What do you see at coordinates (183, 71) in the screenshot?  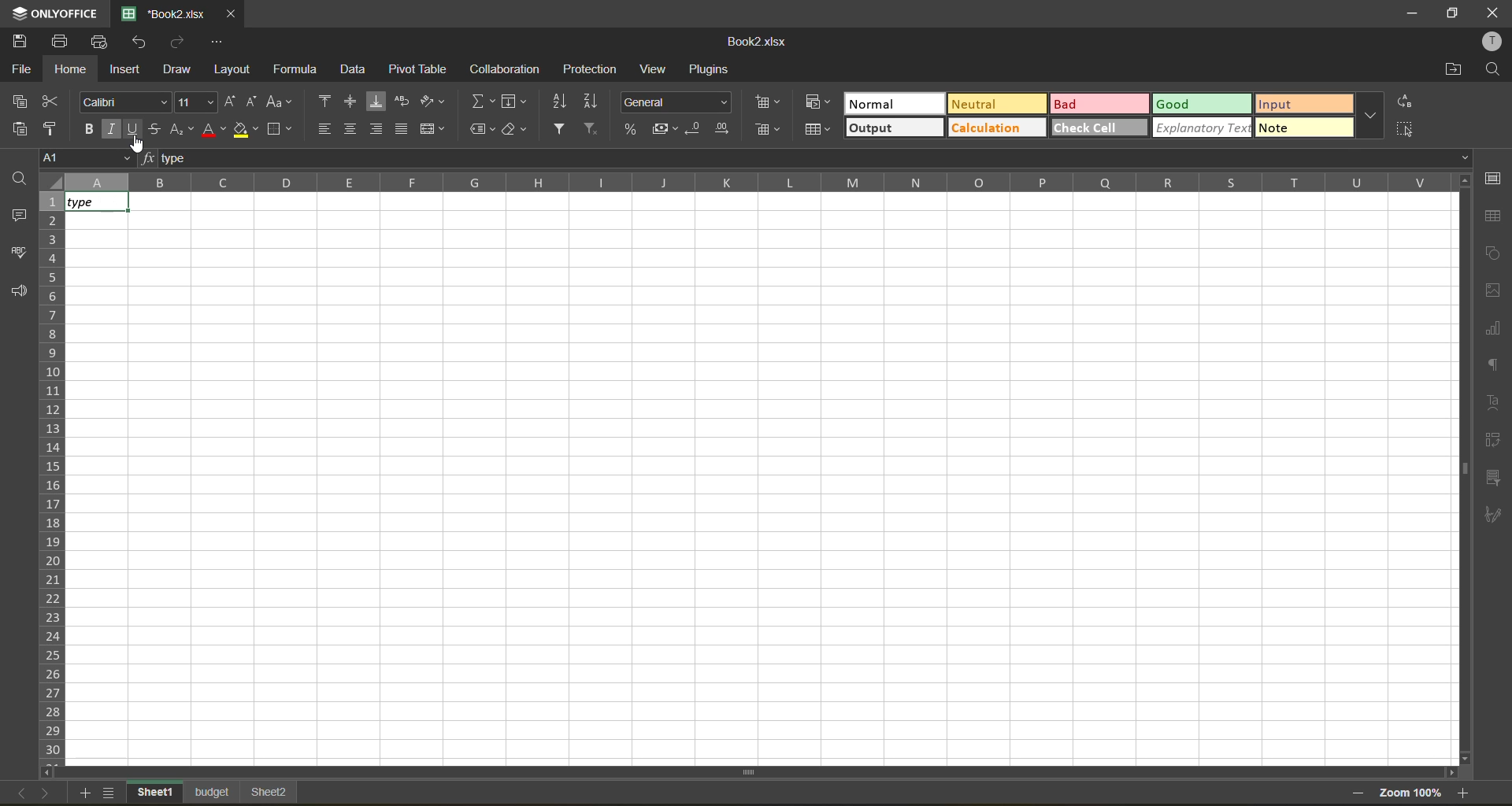 I see `draw` at bounding box center [183, 71].